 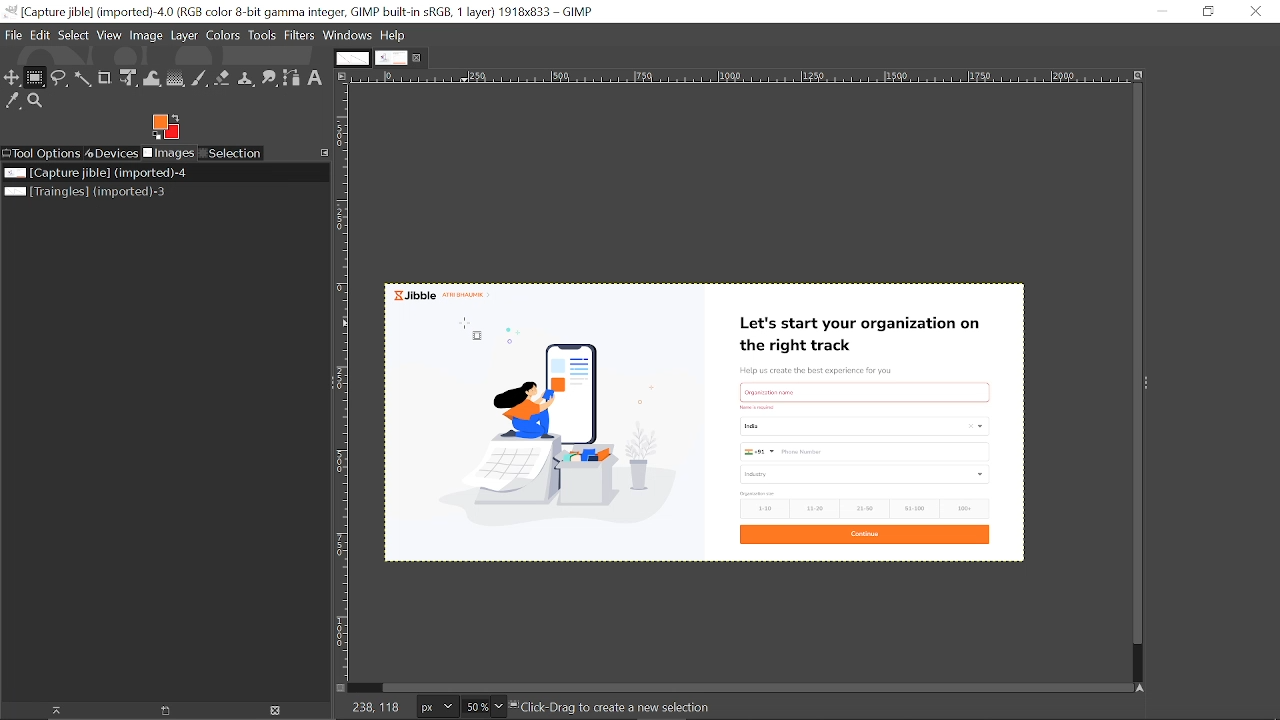 What do you see at coordinates (418, 59) in the screenshot?
I see `Close current tab` at bounding box center [418, 59].